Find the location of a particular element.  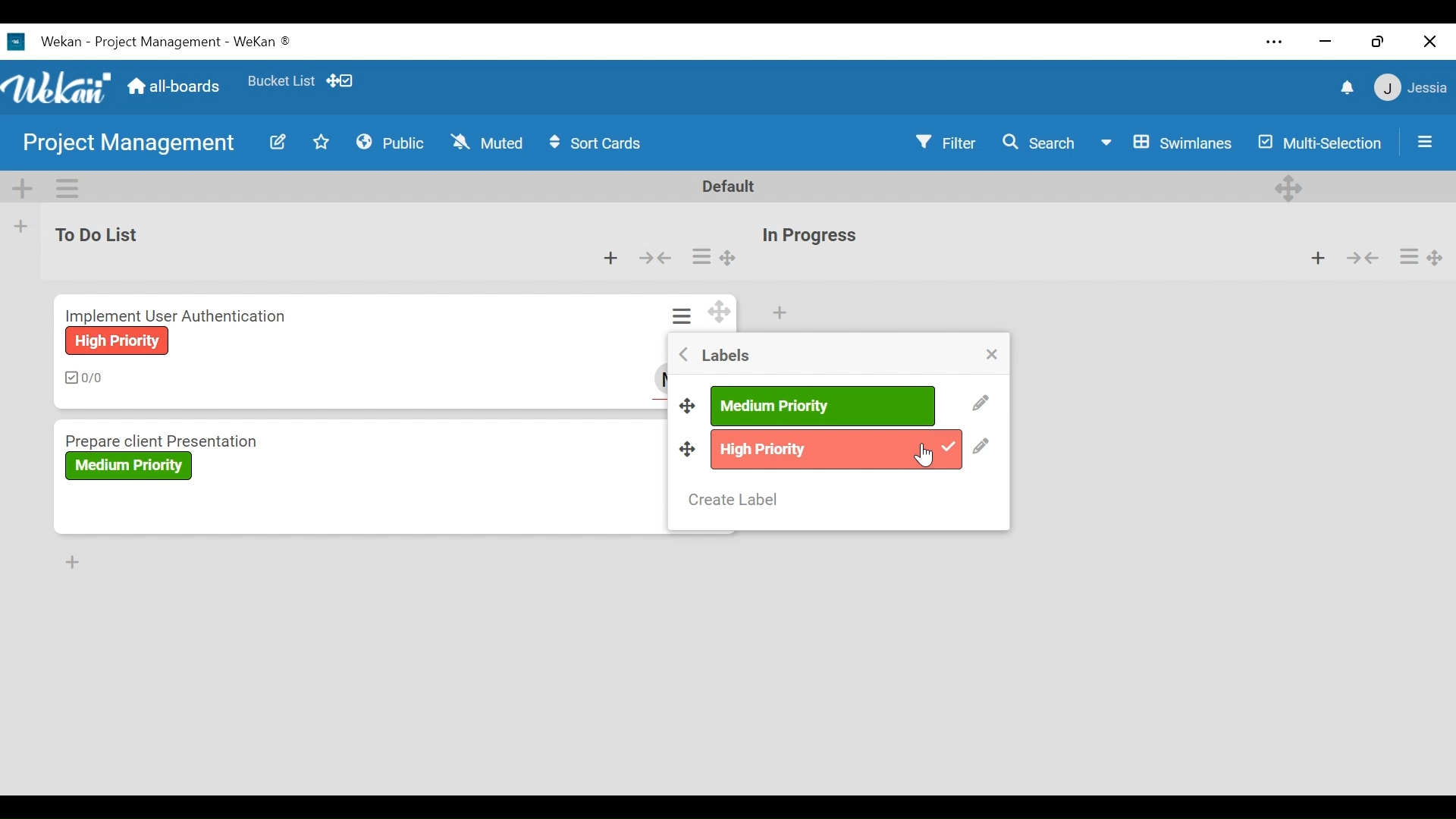

Multi-Selection is located at coordinates (1321, 143).